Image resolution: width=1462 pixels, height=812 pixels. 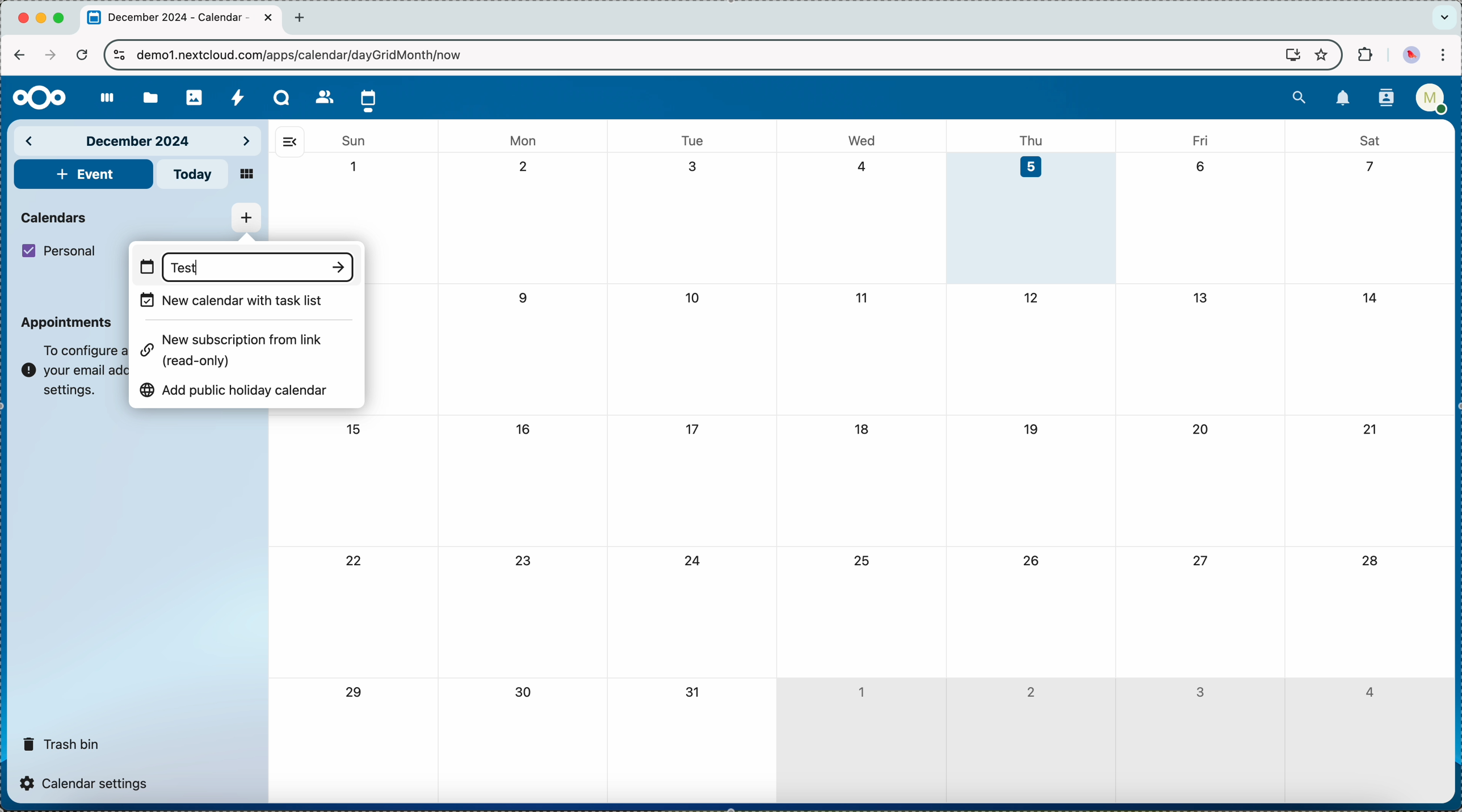 I want to click on 20, so click(x=1201, y=429).